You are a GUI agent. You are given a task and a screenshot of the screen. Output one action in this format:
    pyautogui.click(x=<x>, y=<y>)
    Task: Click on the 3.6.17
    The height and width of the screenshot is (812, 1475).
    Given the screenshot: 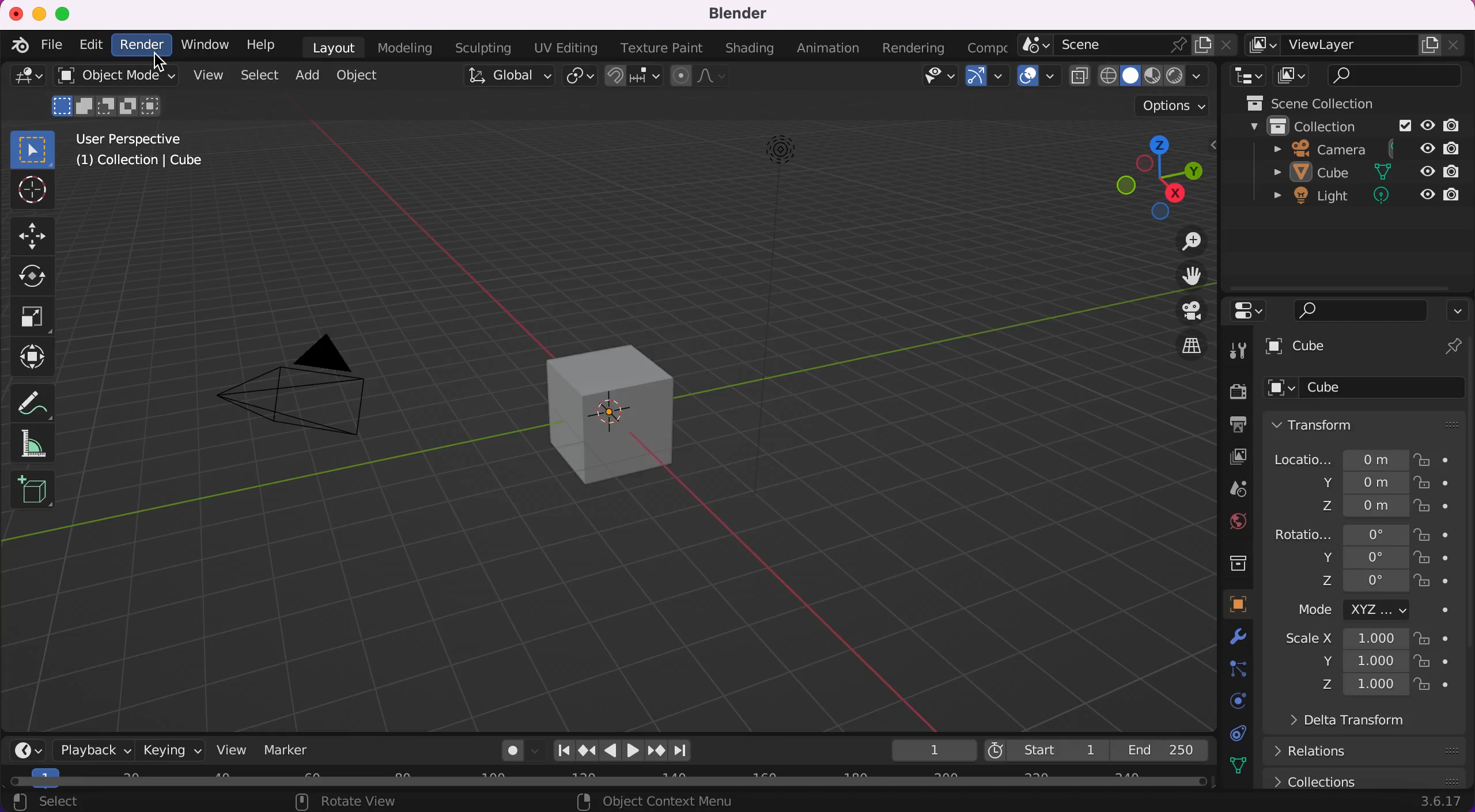 What is the action you would take?
    pyautogui.click(x=1440, y=803)
    